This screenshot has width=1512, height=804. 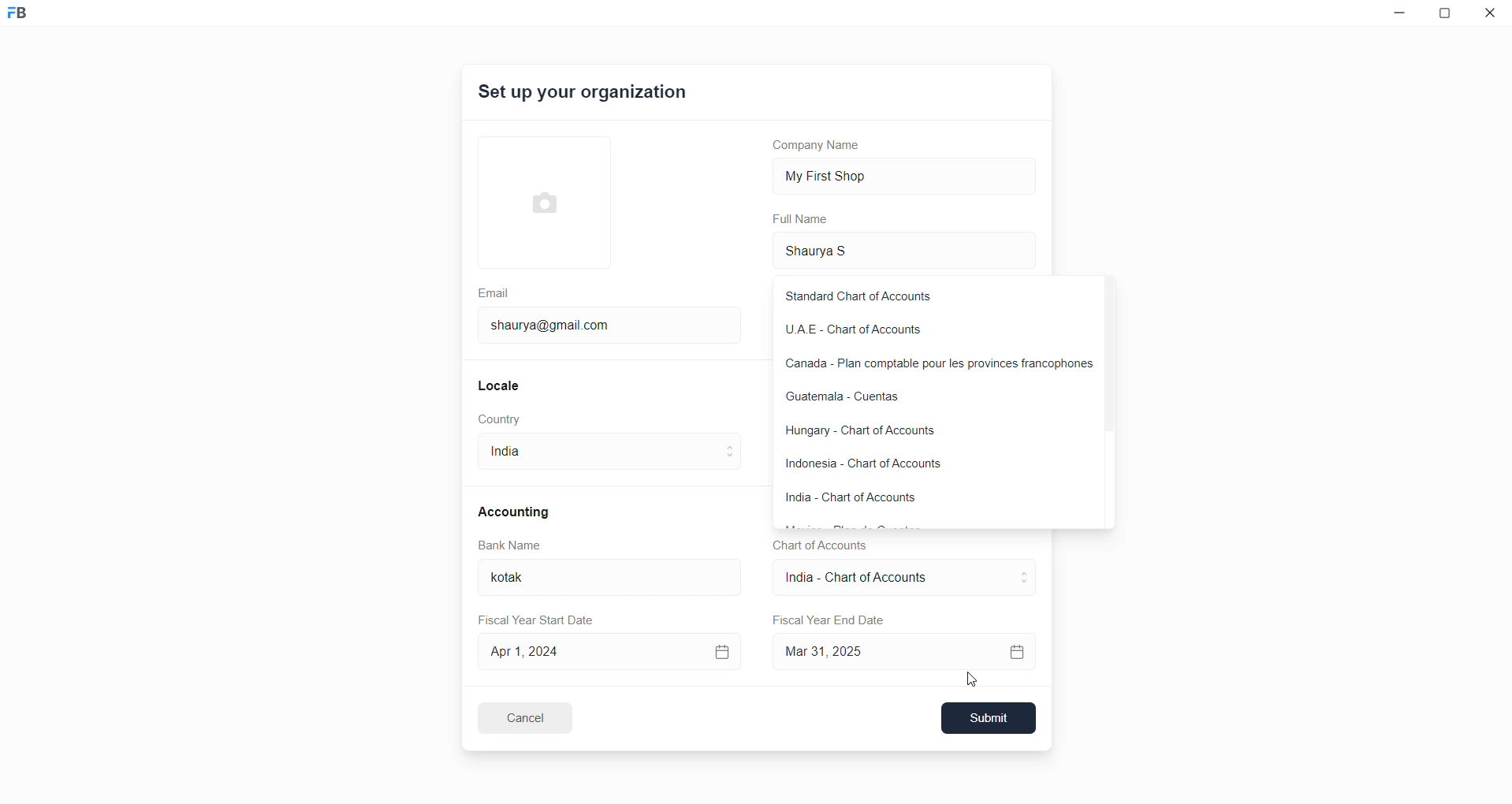 What do you see at coordinates (1107, 359) in the screenshot?
I see `scroll bar` at bounding box center [1107, 359].